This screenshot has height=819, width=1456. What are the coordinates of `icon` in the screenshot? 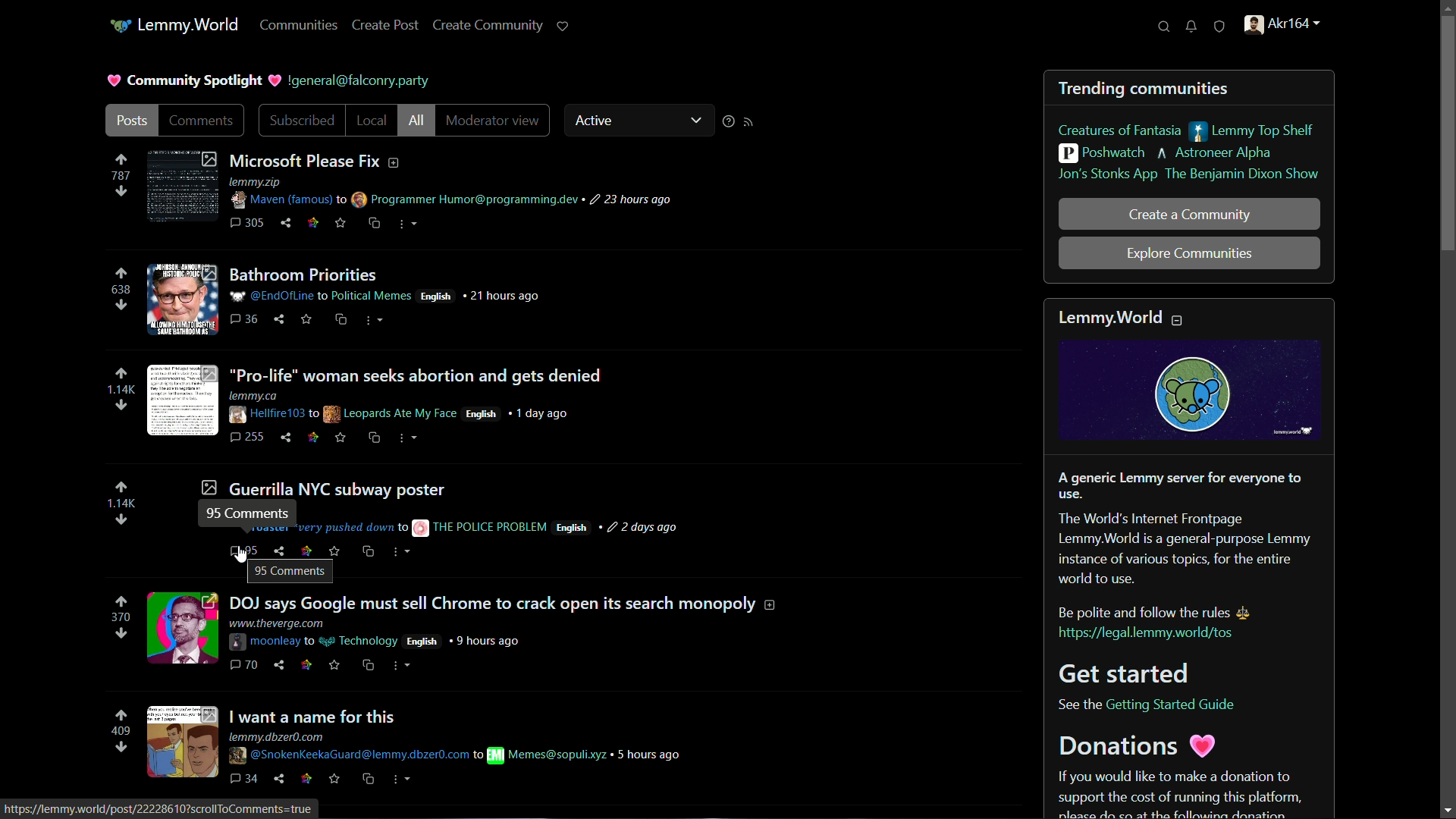 It's located at (315, 436).